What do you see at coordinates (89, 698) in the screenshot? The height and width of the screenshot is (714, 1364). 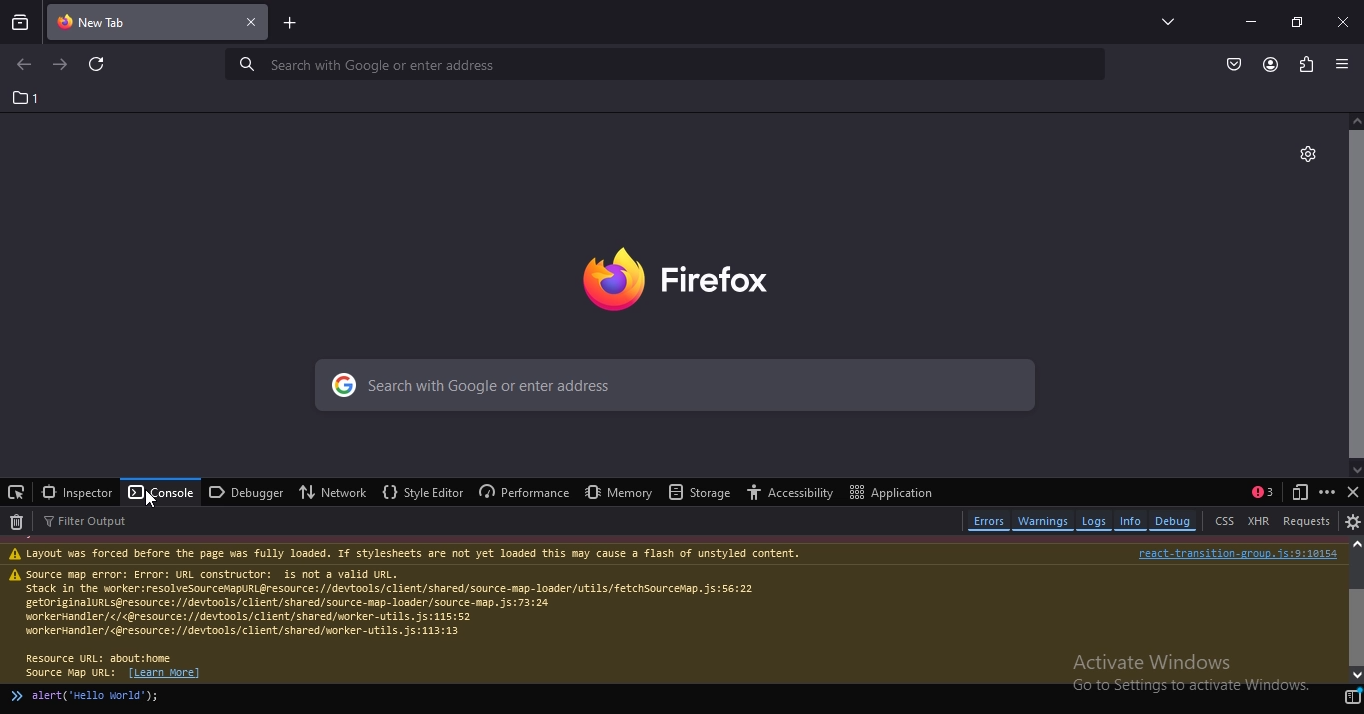 I see `alert('hello world');` at bounding box center [89, 698].